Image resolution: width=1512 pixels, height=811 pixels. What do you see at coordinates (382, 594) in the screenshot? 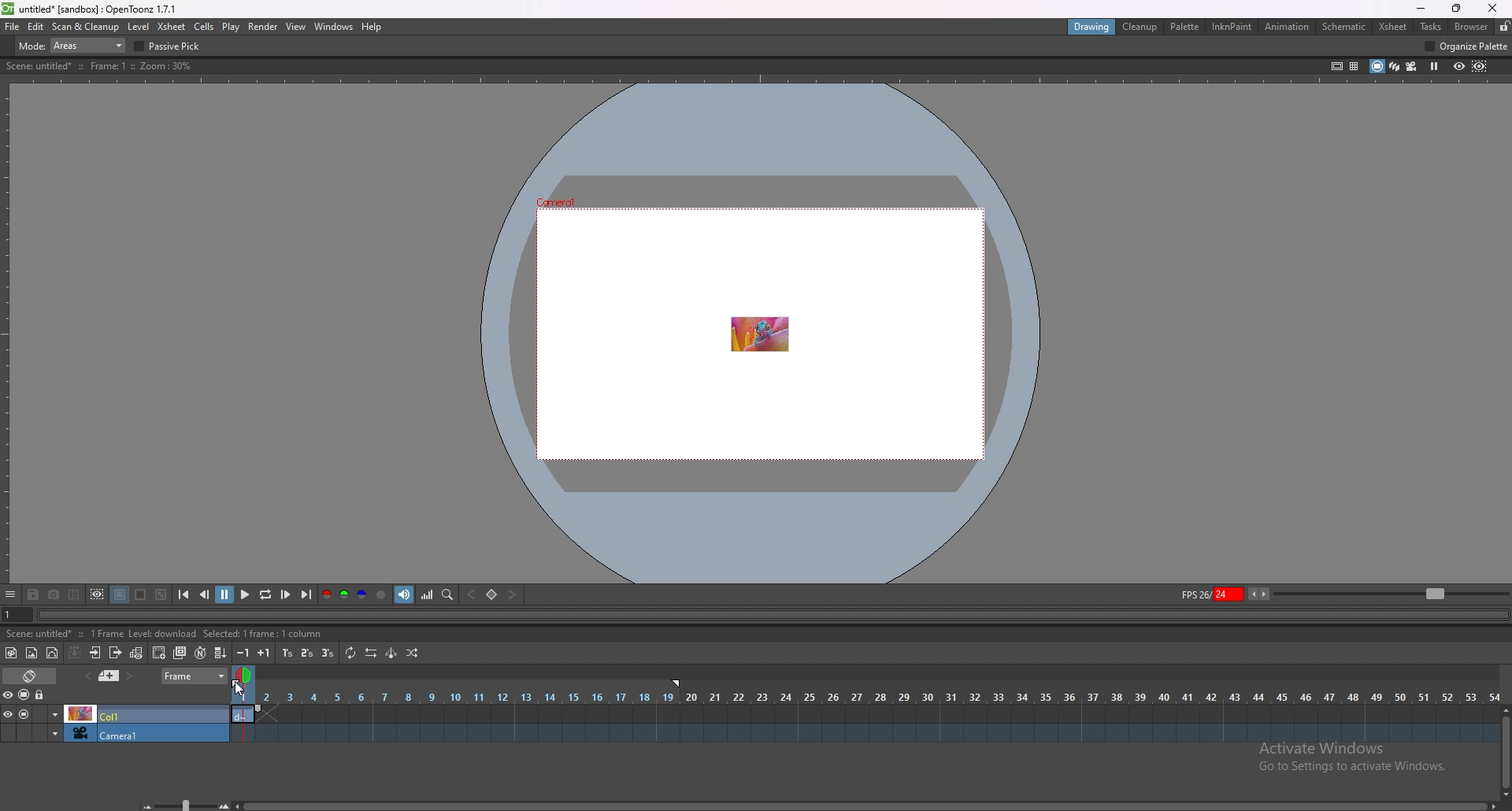
I see `alpha channel` at bounding box center [382, 594].